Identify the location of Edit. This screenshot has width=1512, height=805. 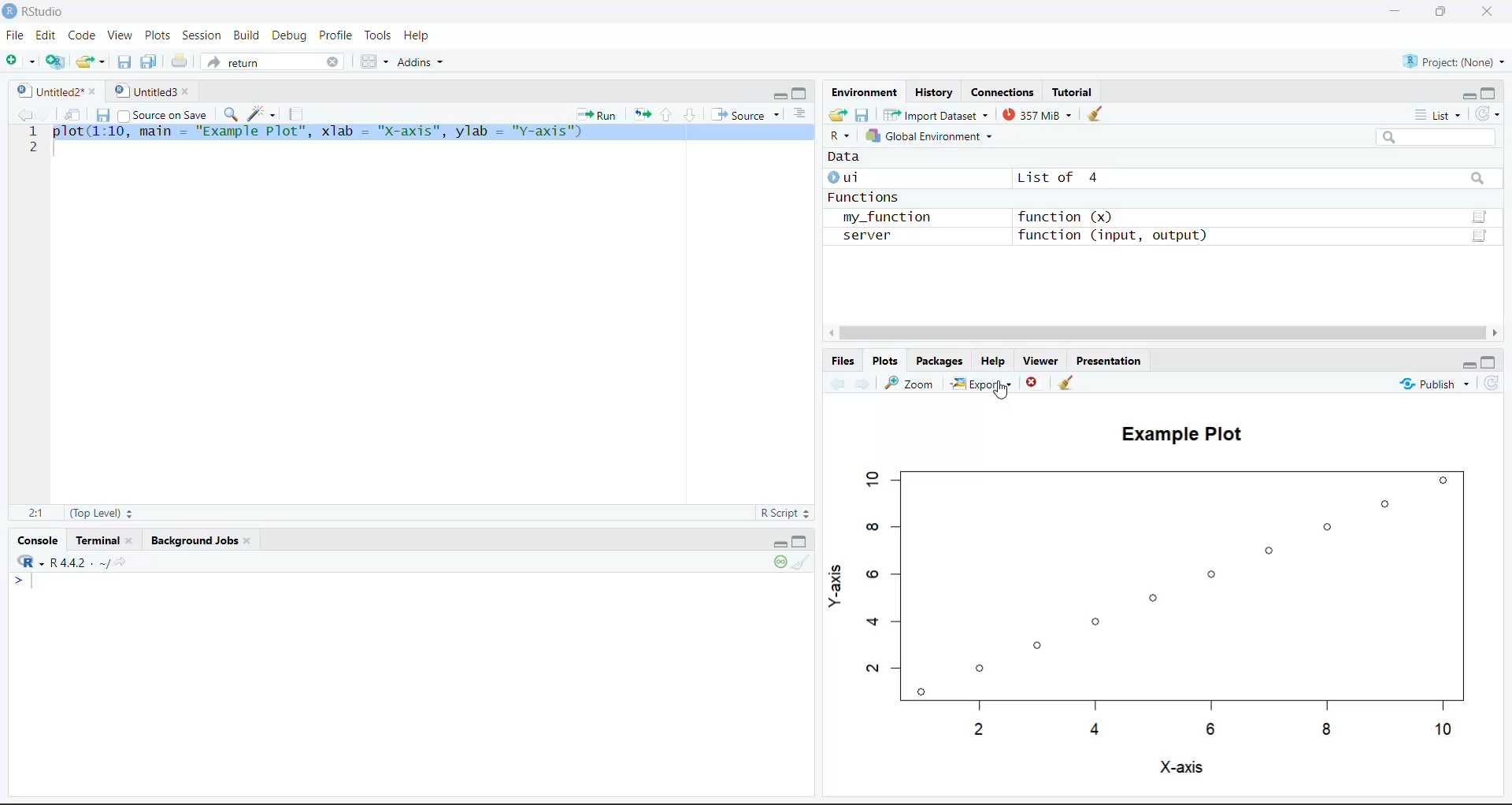
(46, 35).